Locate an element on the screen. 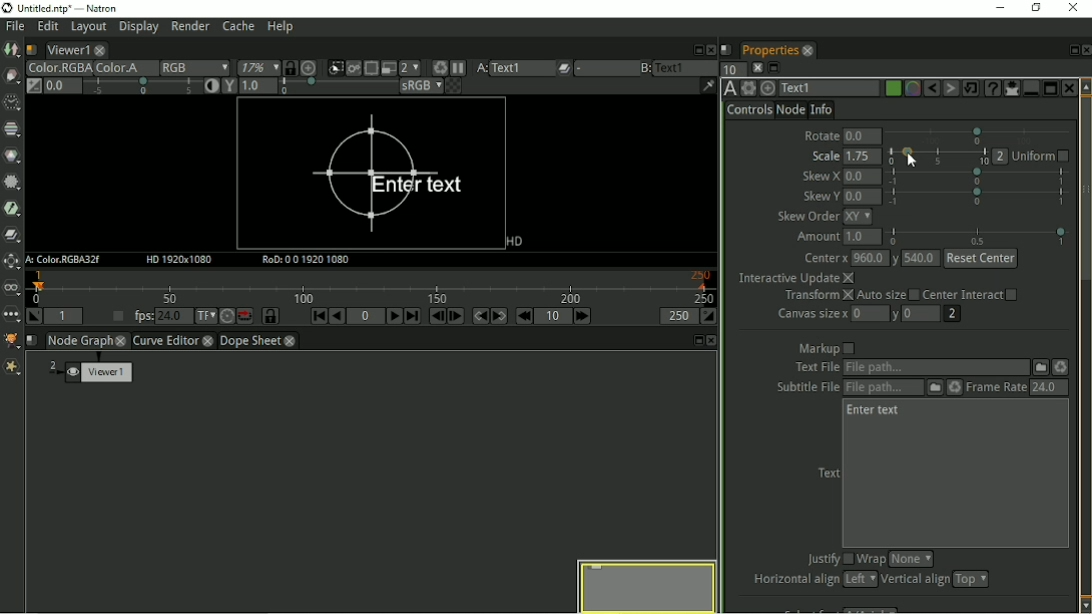  fps is located at coordinates (160, 316).